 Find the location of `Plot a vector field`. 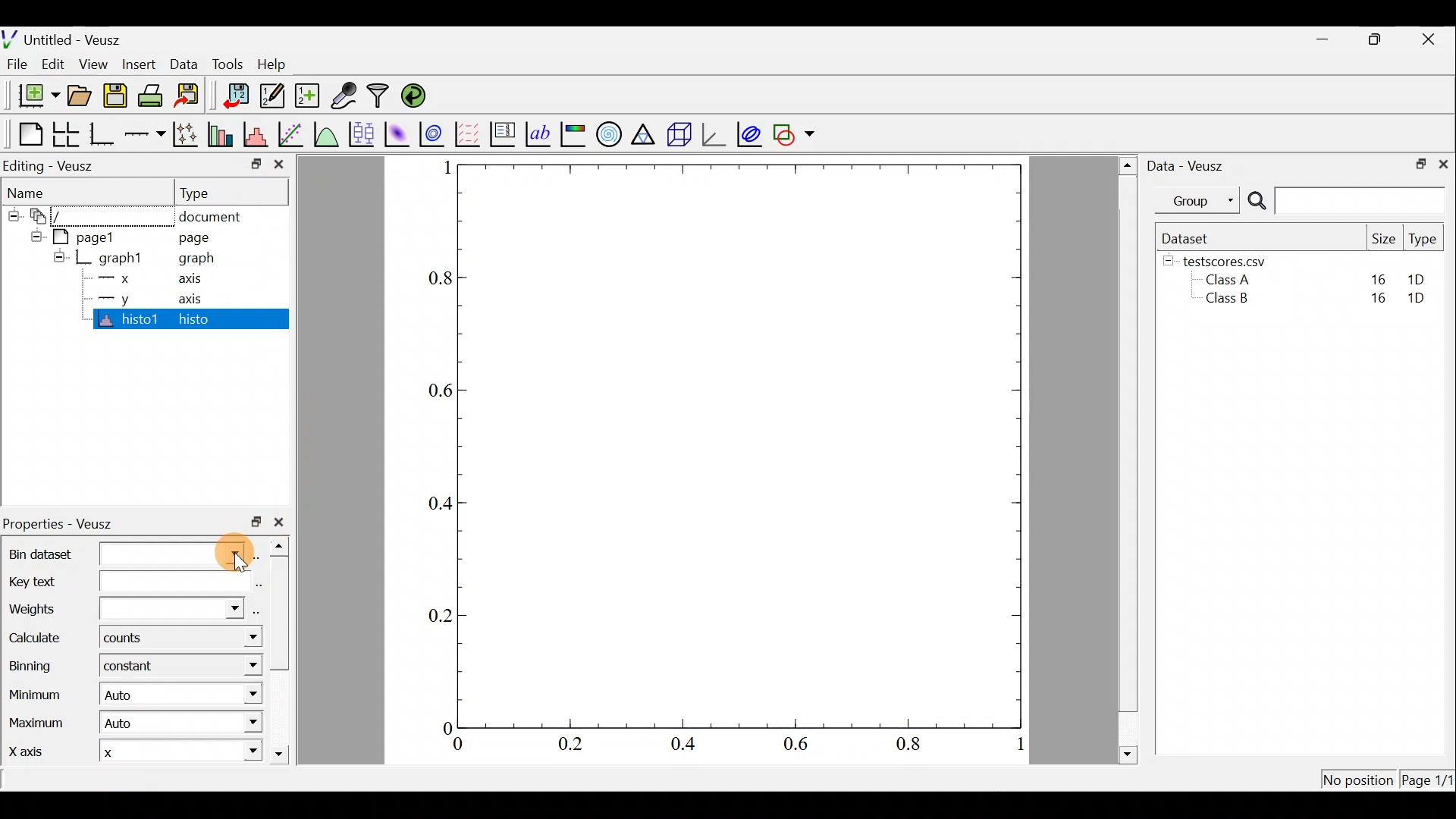

Plot a vector field is located at coordinates (470, 133).